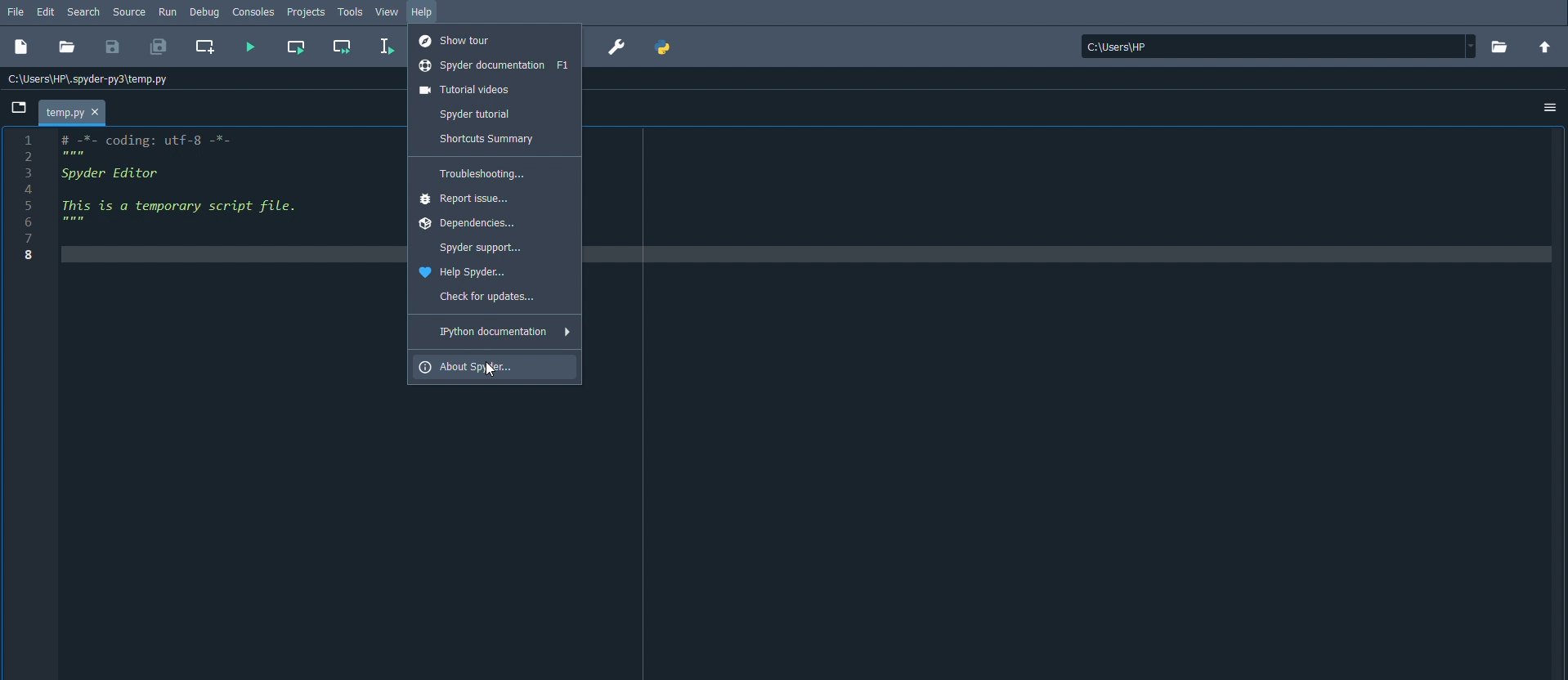 Image resolution: width=1568 pixels, height=680 pixels. Describe the element at coordinates (46, 11) in the screenshot. I see `Edit` at that location.